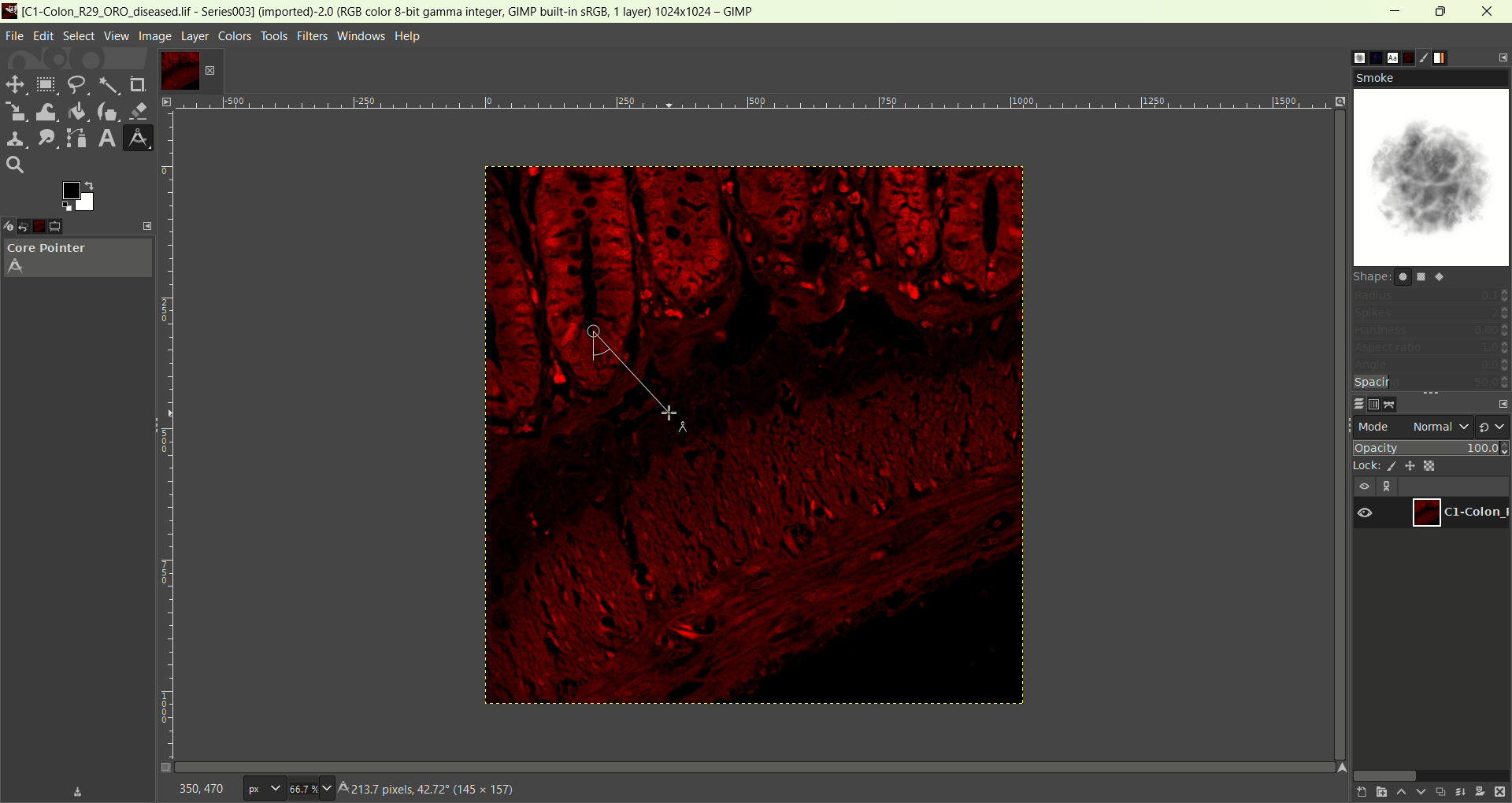 This screenshot has width=1512, height=803. I want to click on scale, so click(13, 109).